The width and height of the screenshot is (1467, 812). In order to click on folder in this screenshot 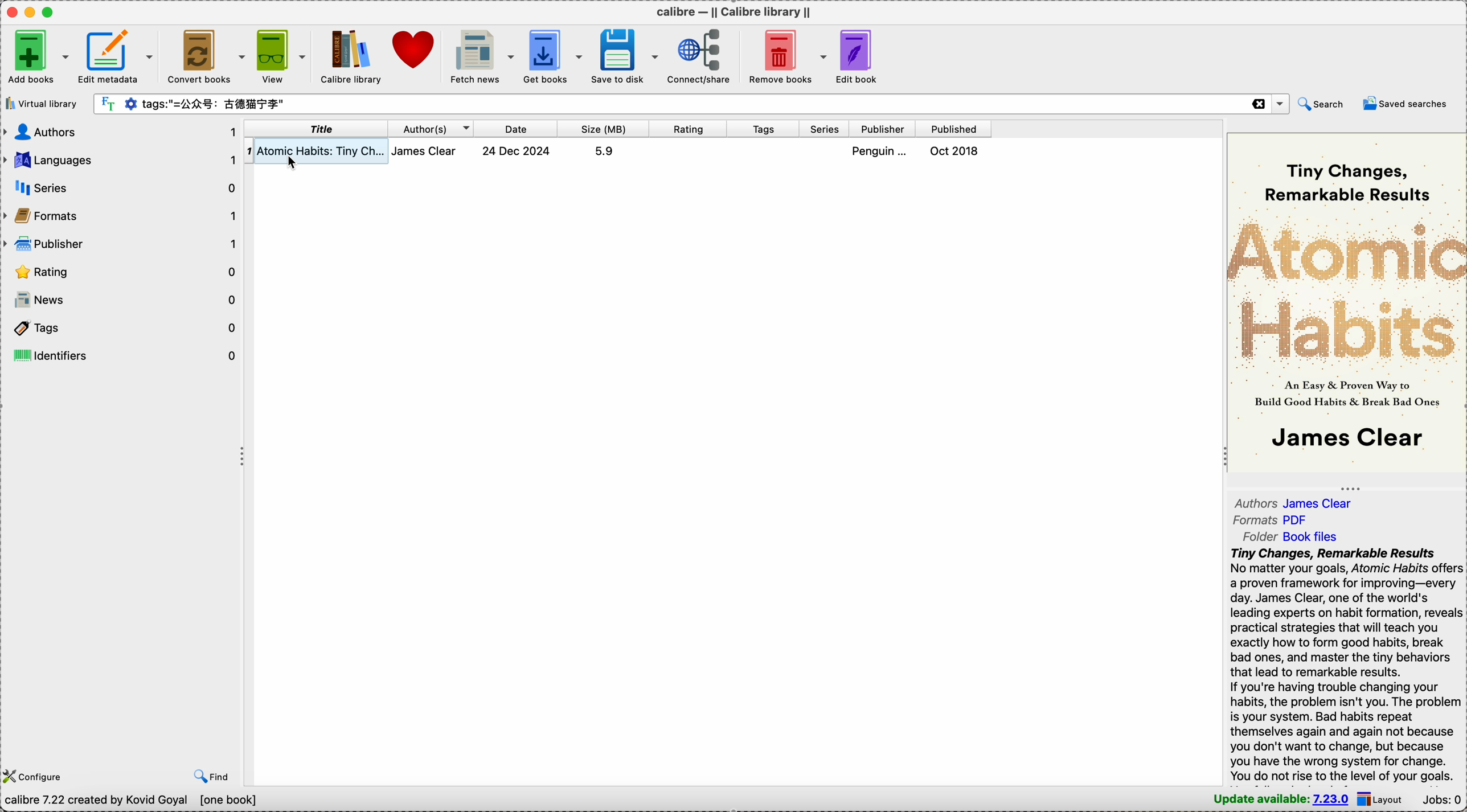, I will do `click(1293, 536)`.